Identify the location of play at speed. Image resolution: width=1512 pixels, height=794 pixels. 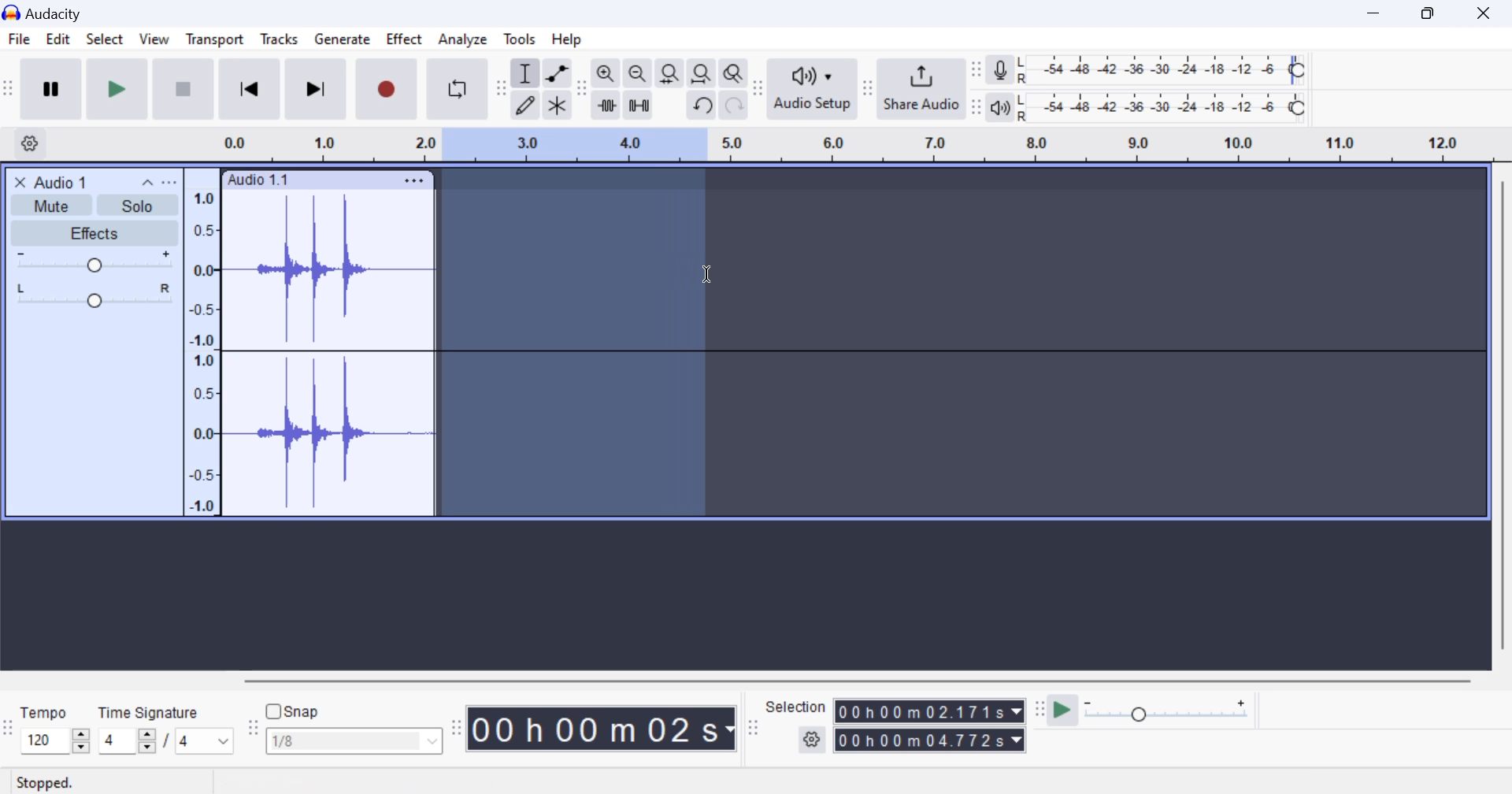
(1062, 711).